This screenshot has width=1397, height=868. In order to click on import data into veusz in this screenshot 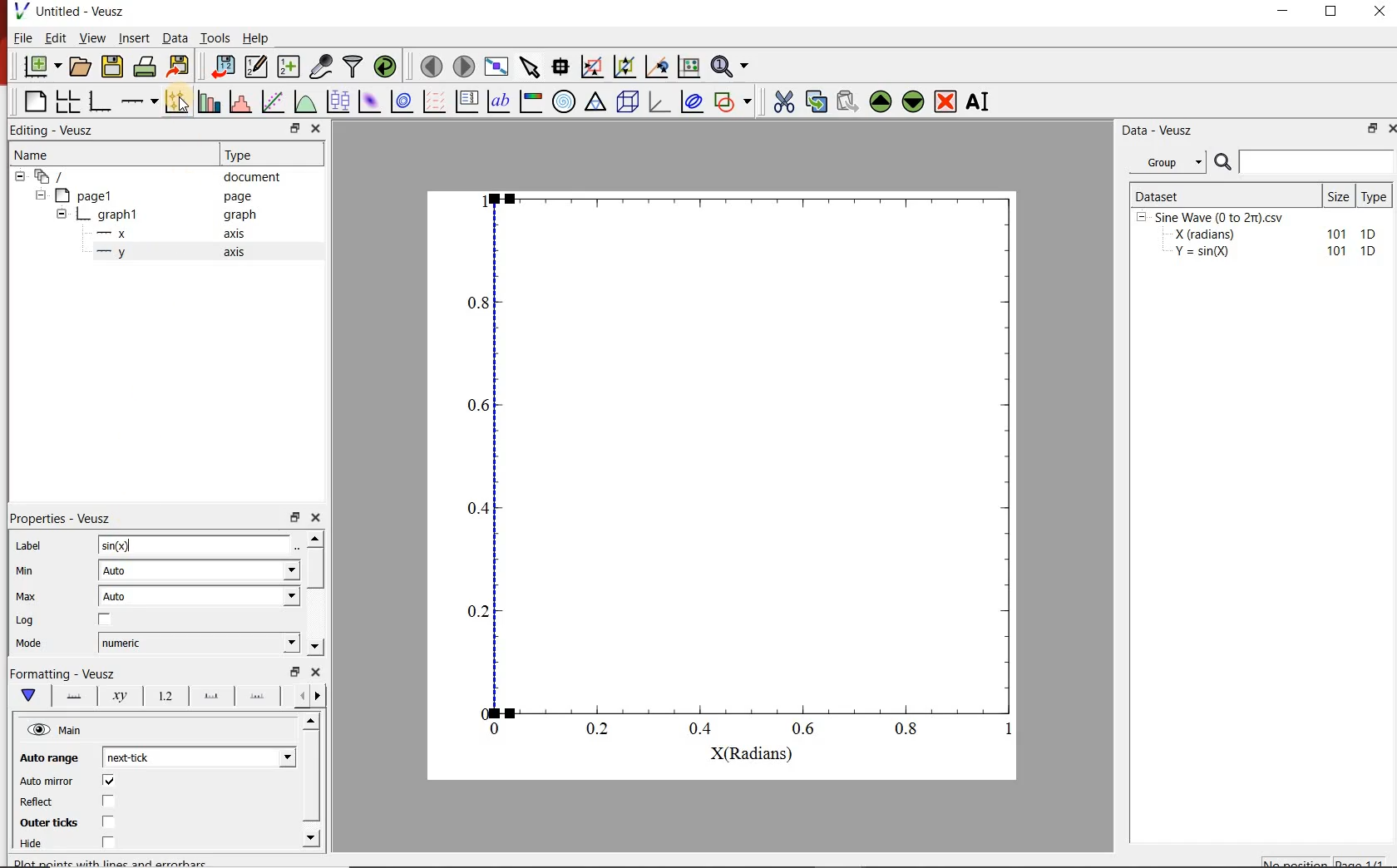, I will do `click(221, 66)`.